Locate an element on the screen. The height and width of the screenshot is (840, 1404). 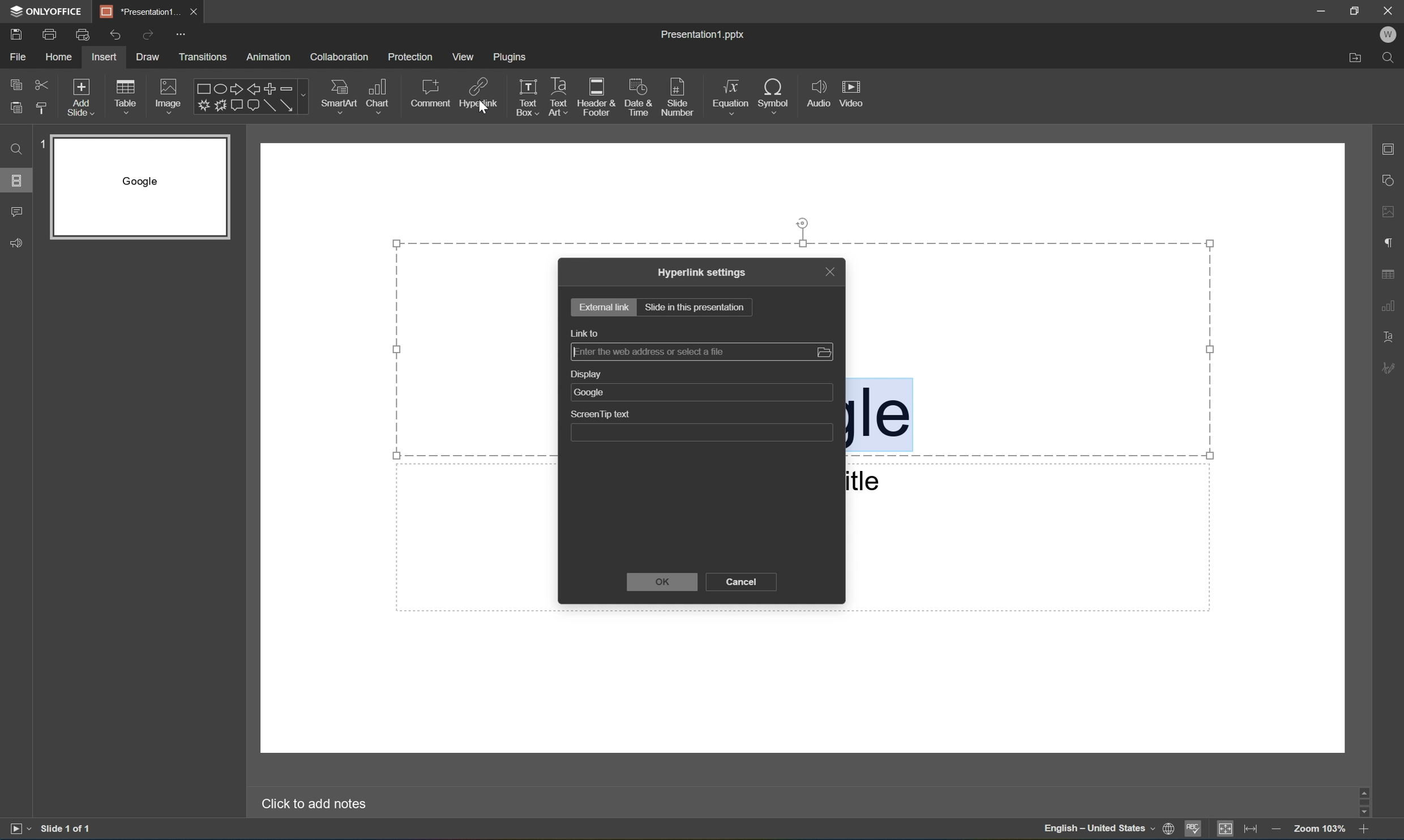
Close is located at coordinates (1388, 11).